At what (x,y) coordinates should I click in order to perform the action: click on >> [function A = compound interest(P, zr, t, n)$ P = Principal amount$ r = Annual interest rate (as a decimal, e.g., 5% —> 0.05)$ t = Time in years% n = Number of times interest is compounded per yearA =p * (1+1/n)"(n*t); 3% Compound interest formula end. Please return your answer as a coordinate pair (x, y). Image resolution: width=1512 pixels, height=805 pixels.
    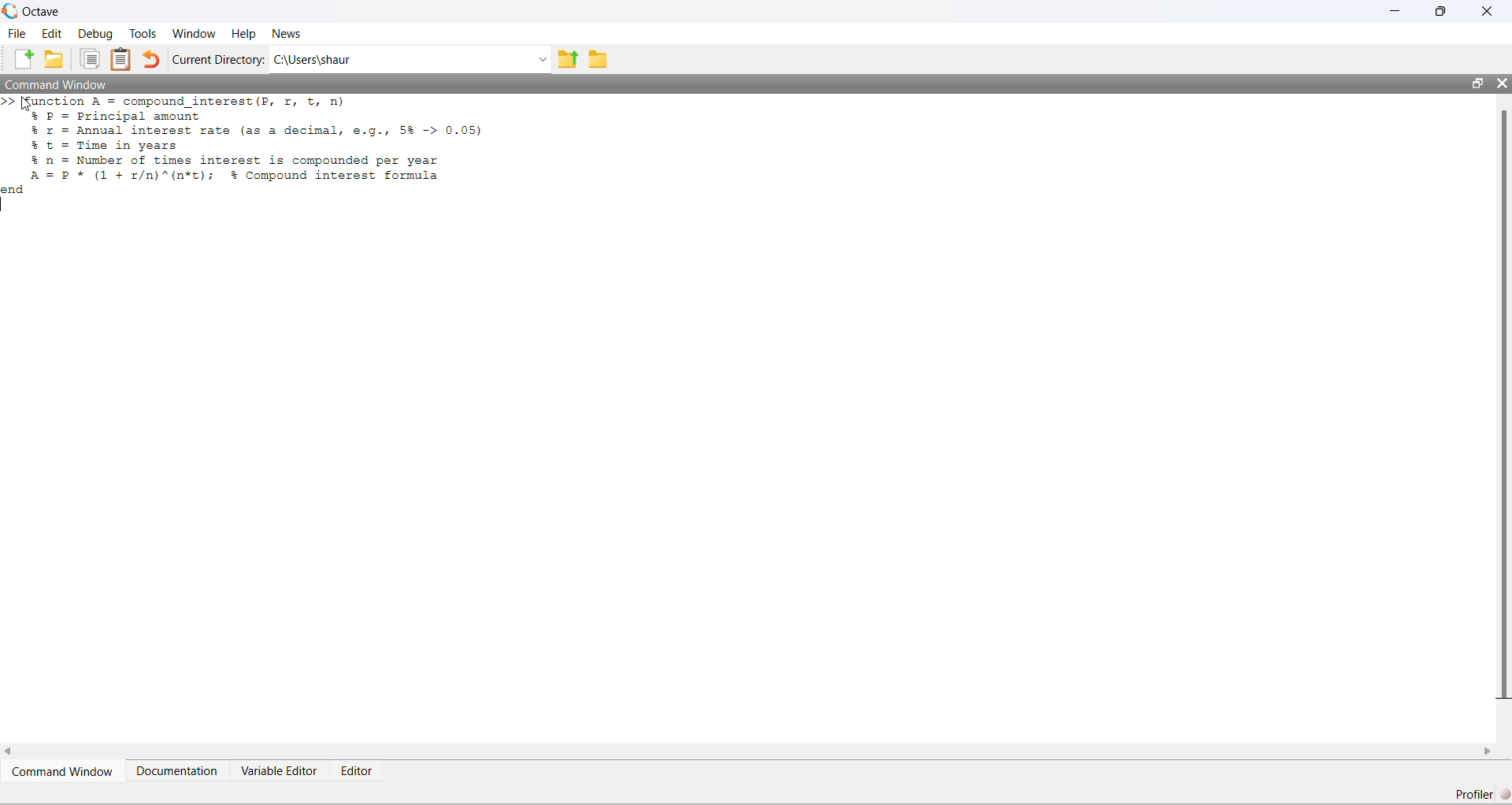
    Looking at the image, I should click on (248, 148).